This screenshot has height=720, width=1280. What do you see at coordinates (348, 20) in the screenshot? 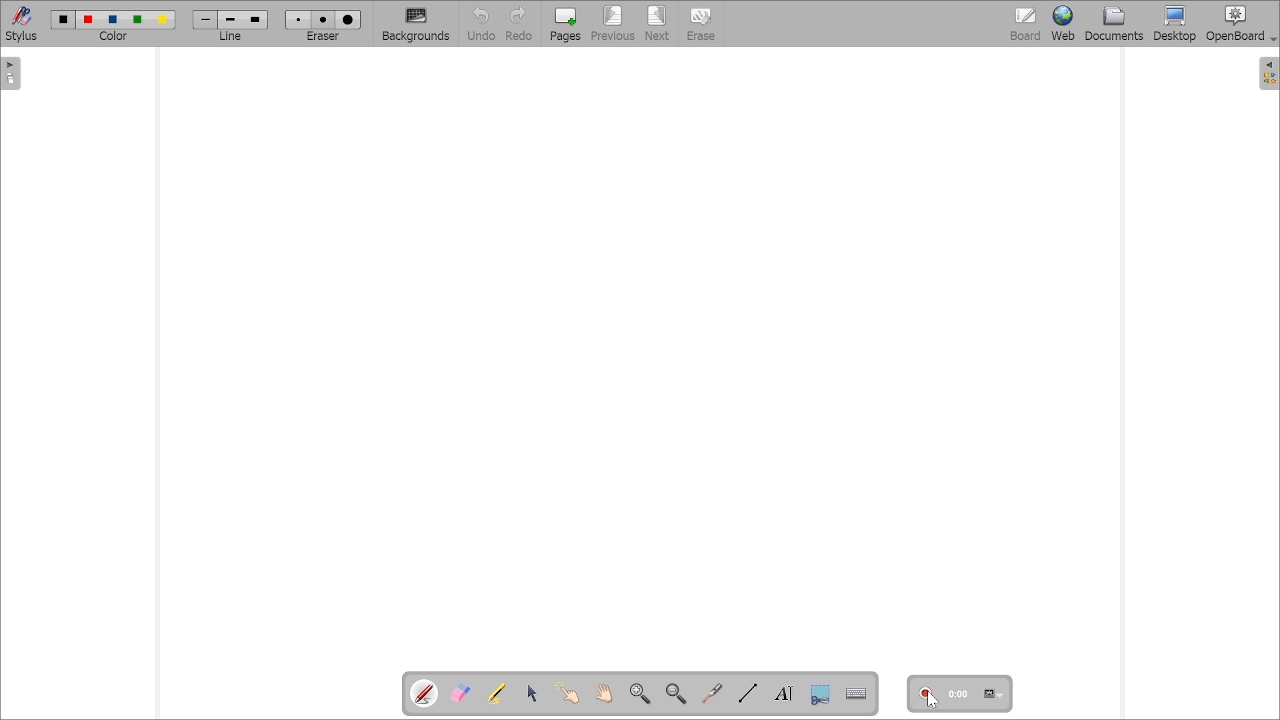
I see `eraser3` at bounding box center [348, 20].